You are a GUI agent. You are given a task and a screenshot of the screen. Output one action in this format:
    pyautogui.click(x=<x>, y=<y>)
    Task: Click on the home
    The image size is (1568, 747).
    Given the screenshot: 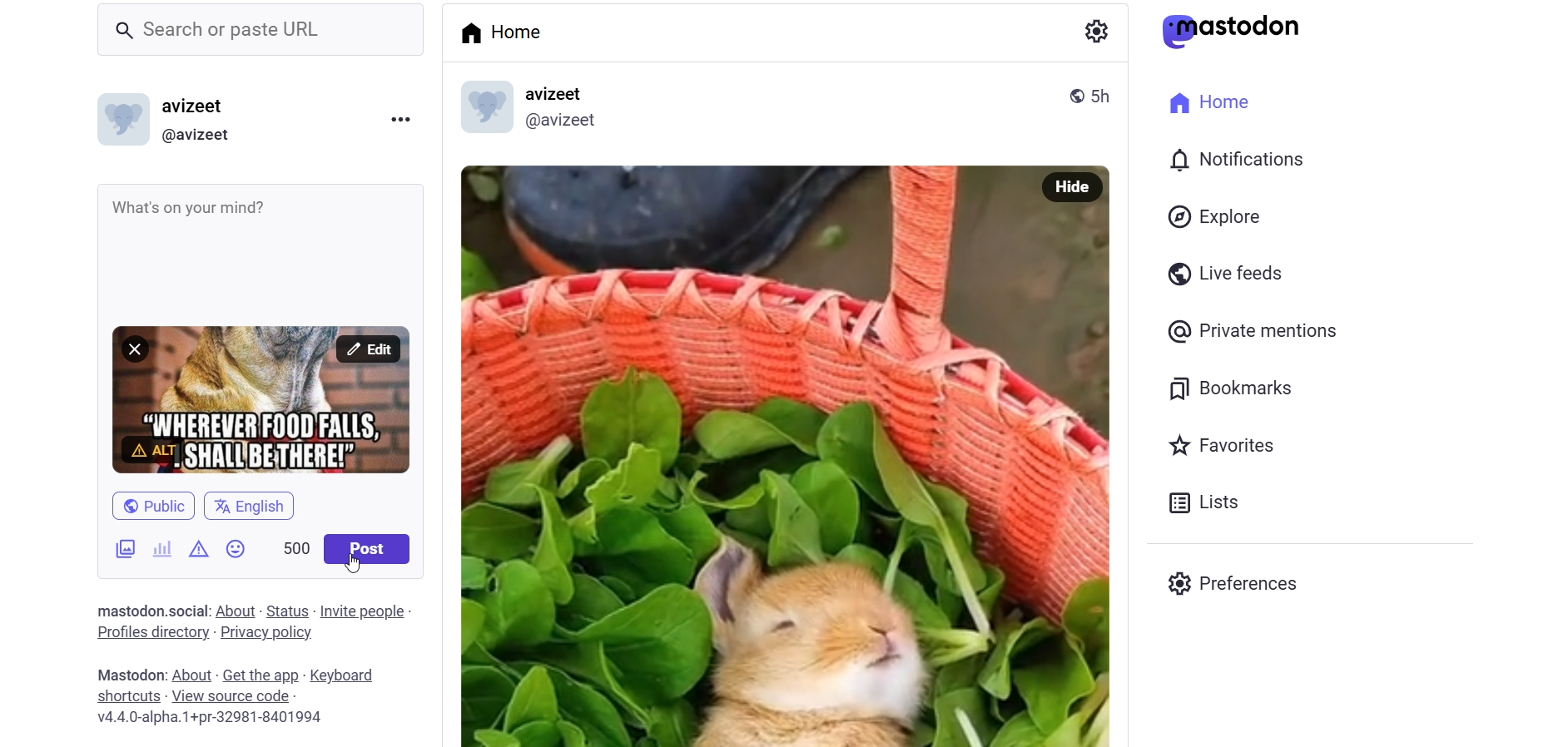 What is the action you would take?
    pyautogui.click(x=499, y=30)
    